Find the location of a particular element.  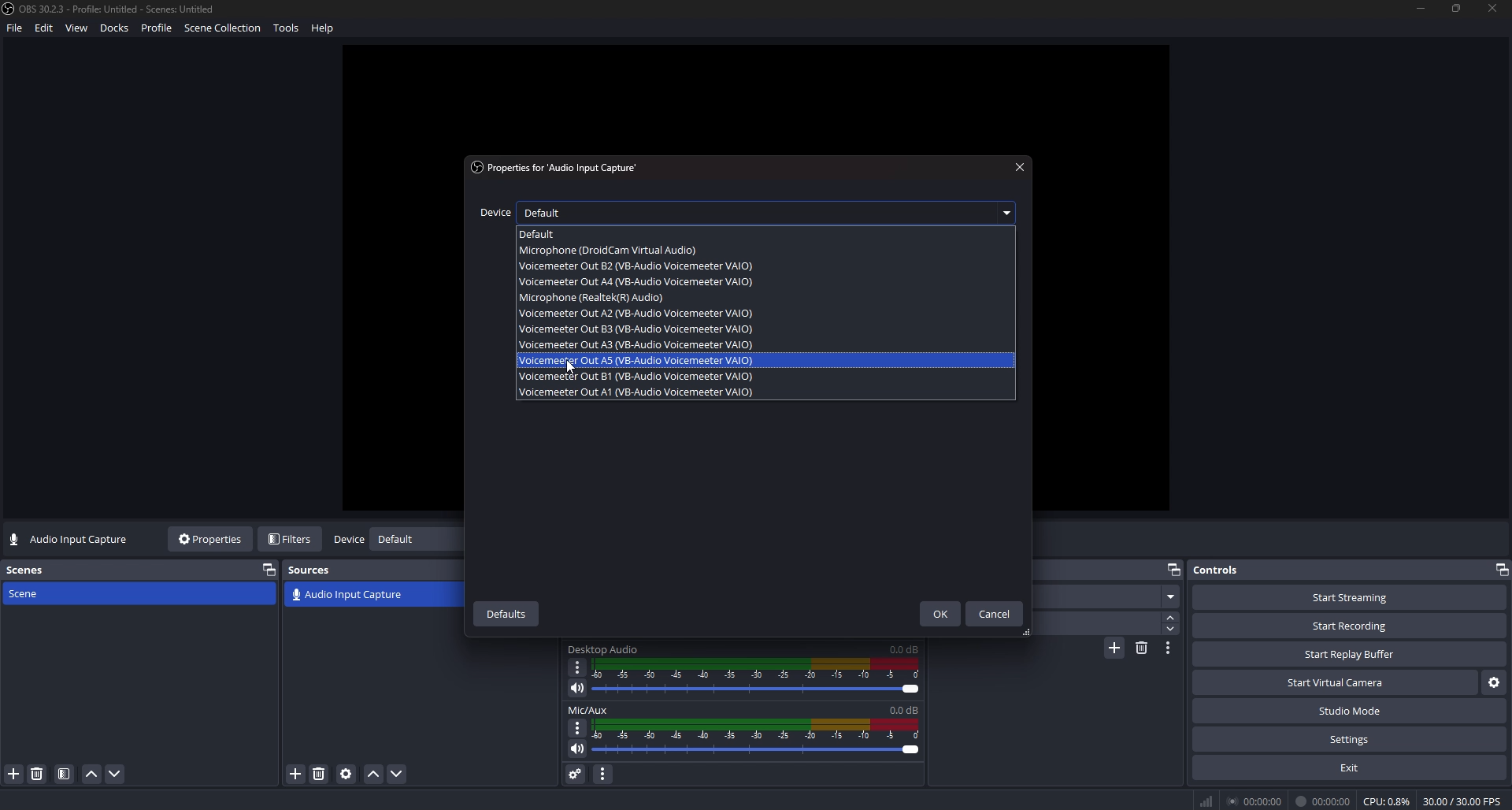

scene transitions is located at coordinates (347, 596).